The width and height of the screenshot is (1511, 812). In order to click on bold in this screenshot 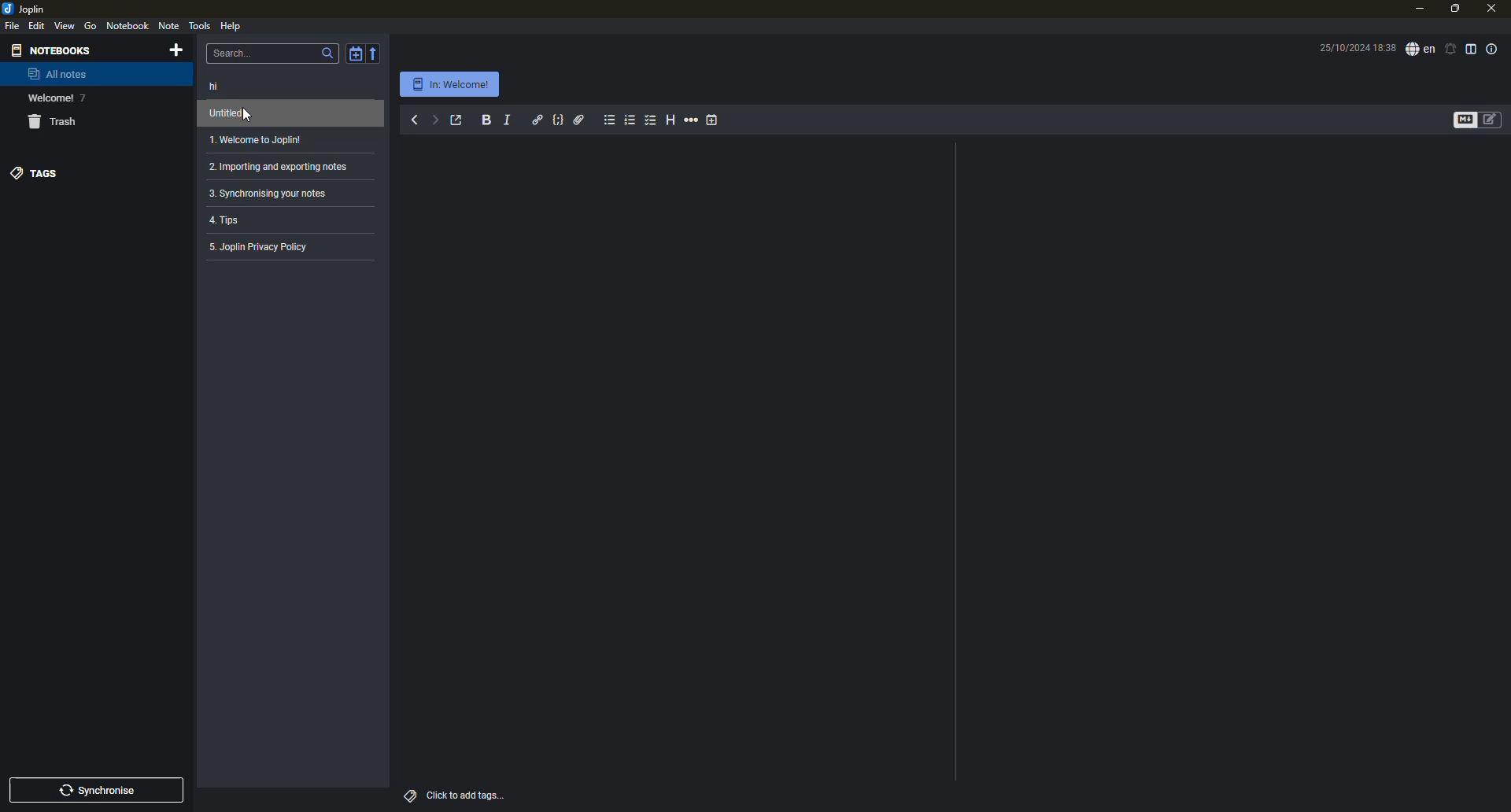, I will do `click(486, 120)`.